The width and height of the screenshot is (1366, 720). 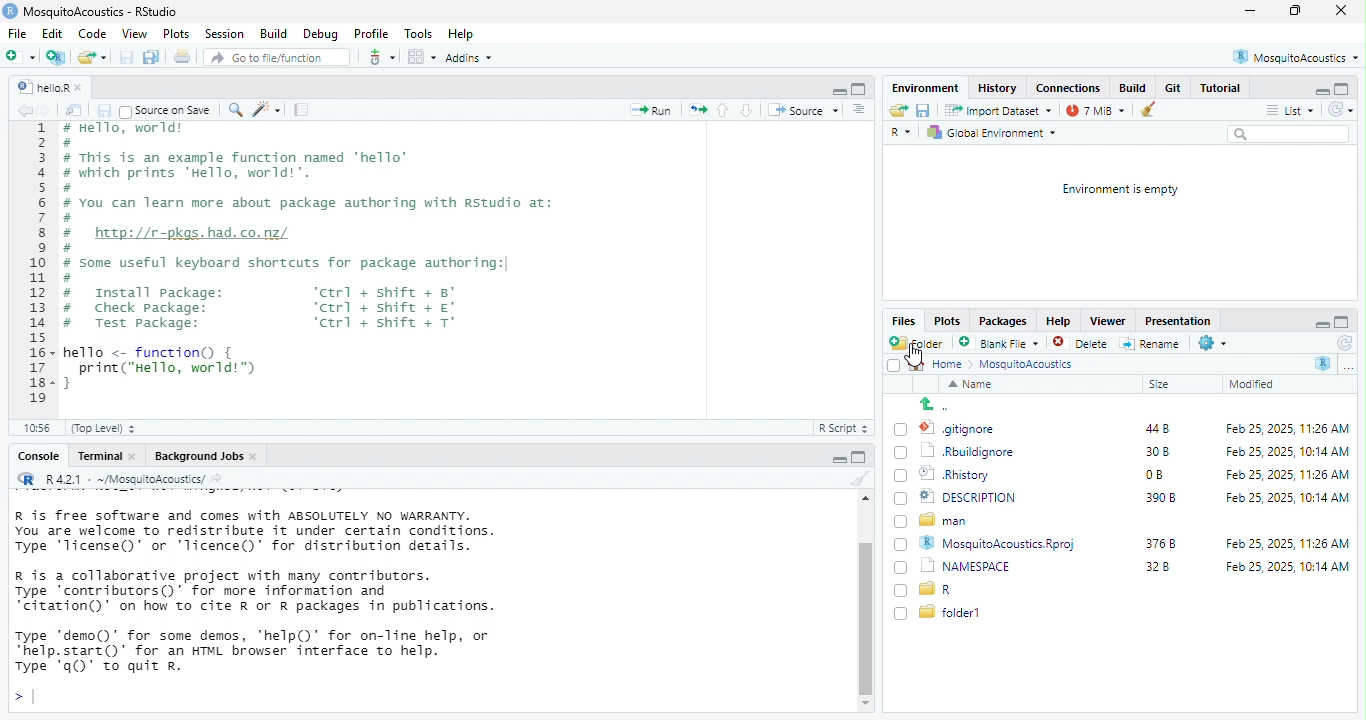 What do you see at coordinates (972, 452) in the screenshot?
I see `rburgignore` at bounding box center [972, 452].